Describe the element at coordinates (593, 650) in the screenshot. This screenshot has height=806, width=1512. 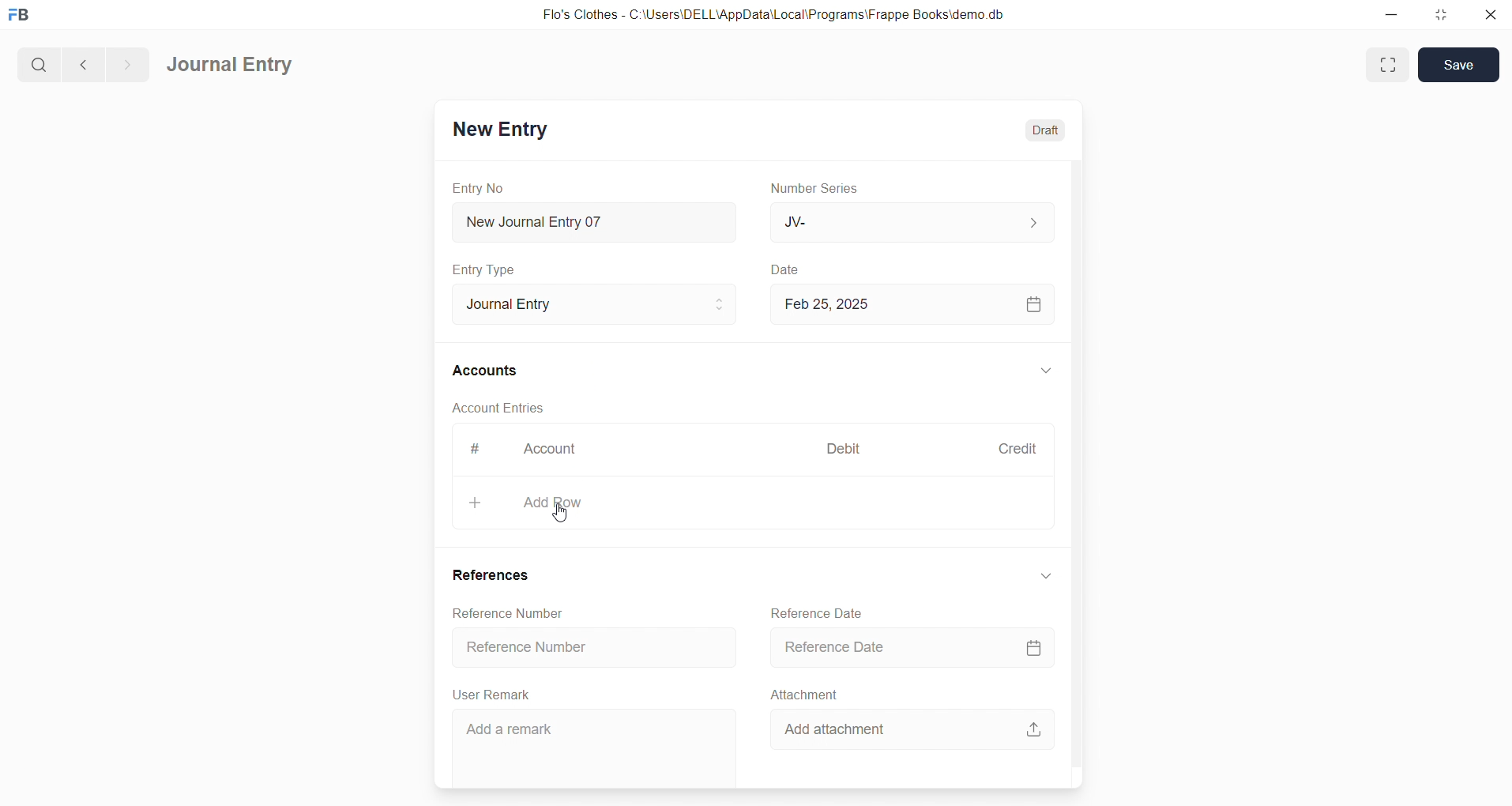
I see `Reference Number` at that location.